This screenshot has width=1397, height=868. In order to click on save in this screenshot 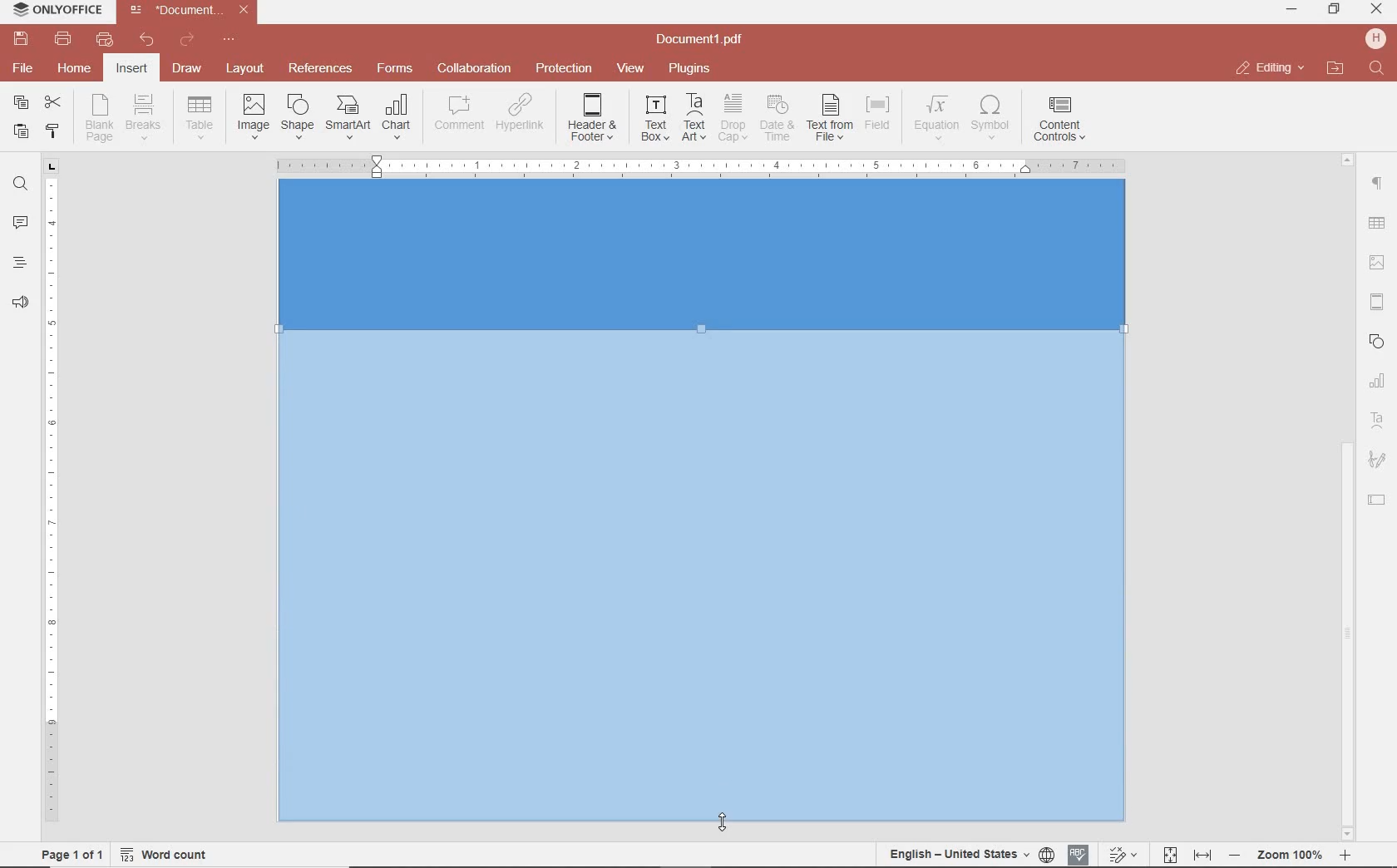, I will do `click(19, 39)`.